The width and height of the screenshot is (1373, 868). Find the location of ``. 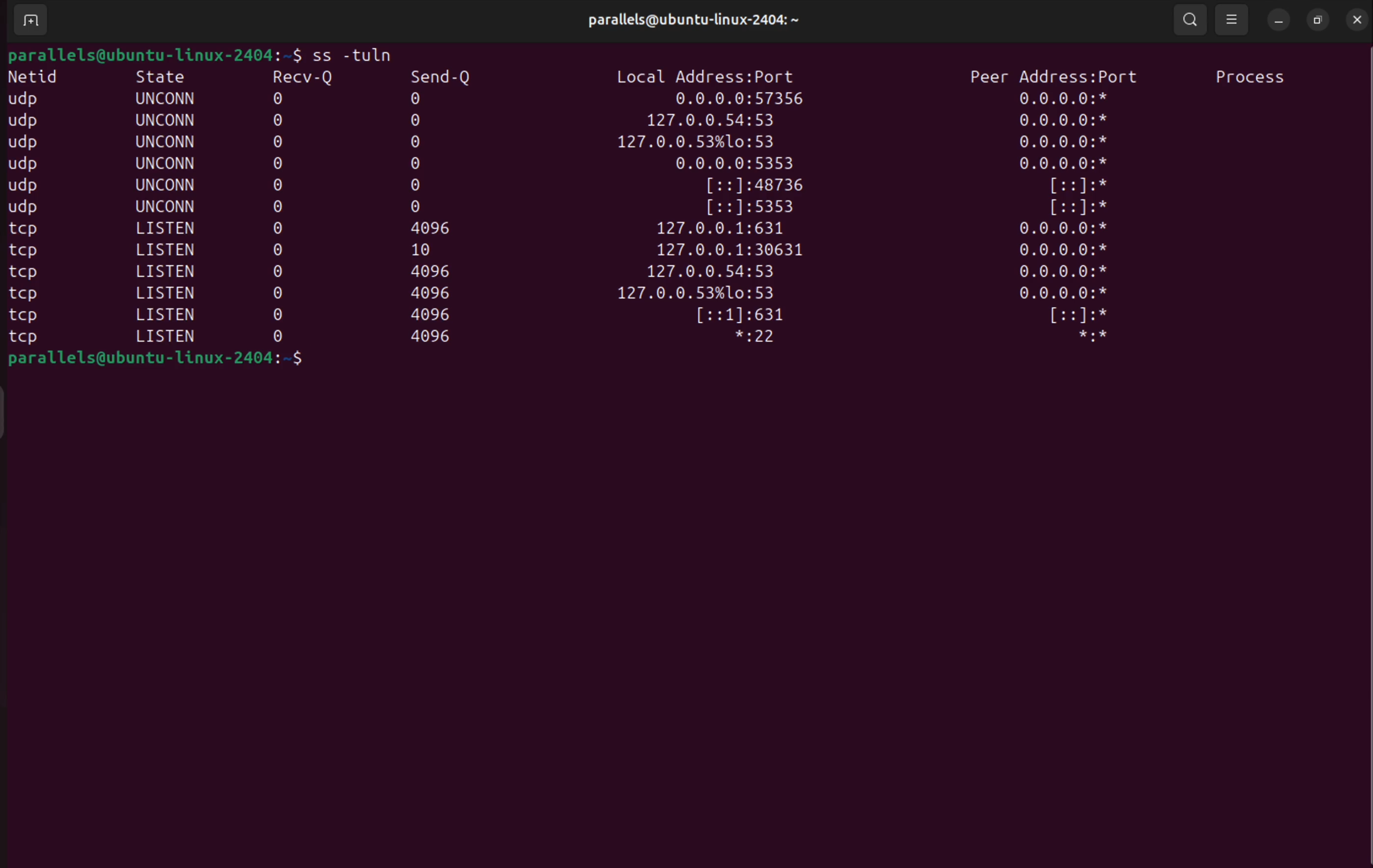

 is located at coordinates (280, 142).